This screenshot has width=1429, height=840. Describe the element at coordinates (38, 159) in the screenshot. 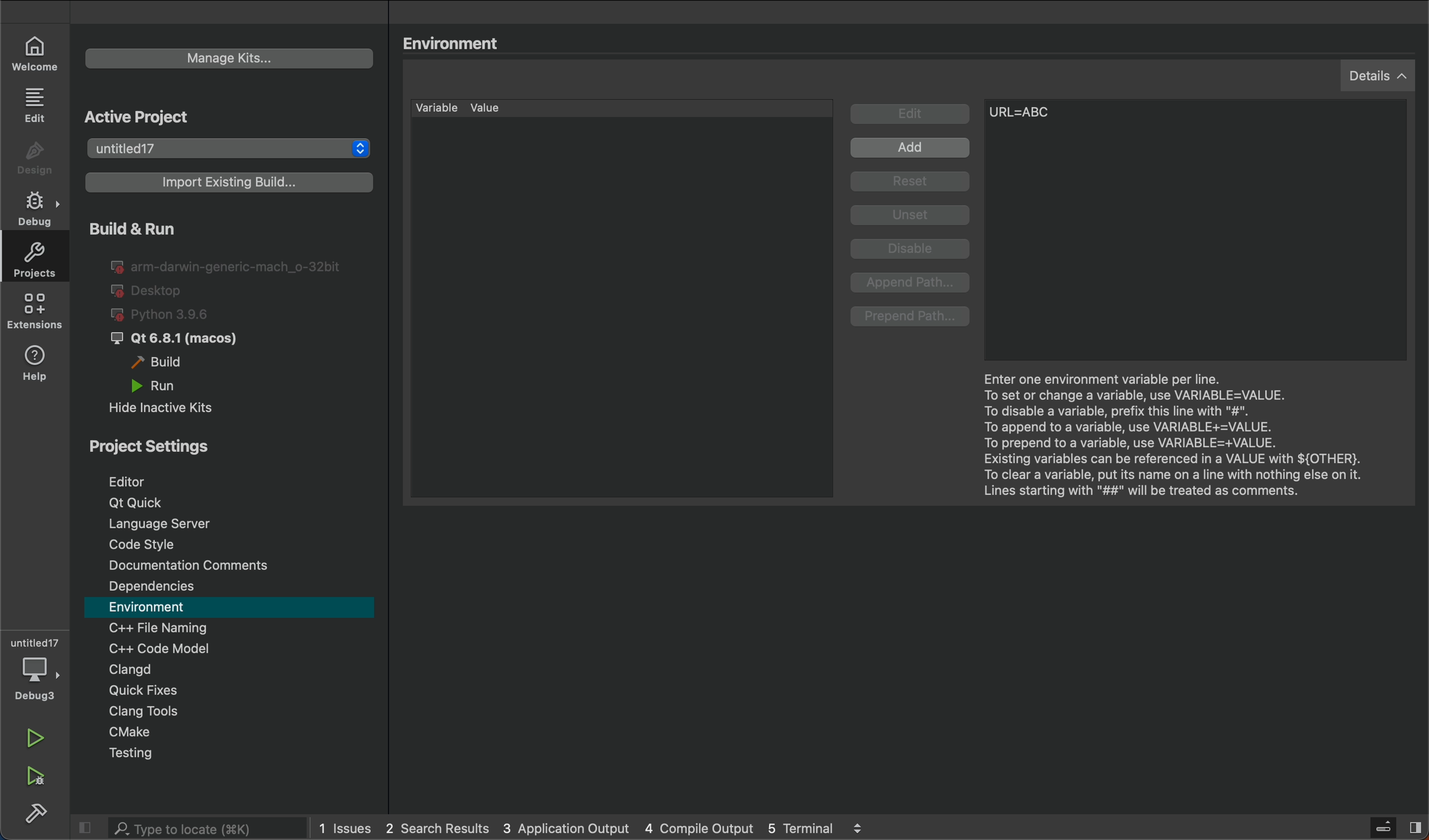

I see `design` at that location.